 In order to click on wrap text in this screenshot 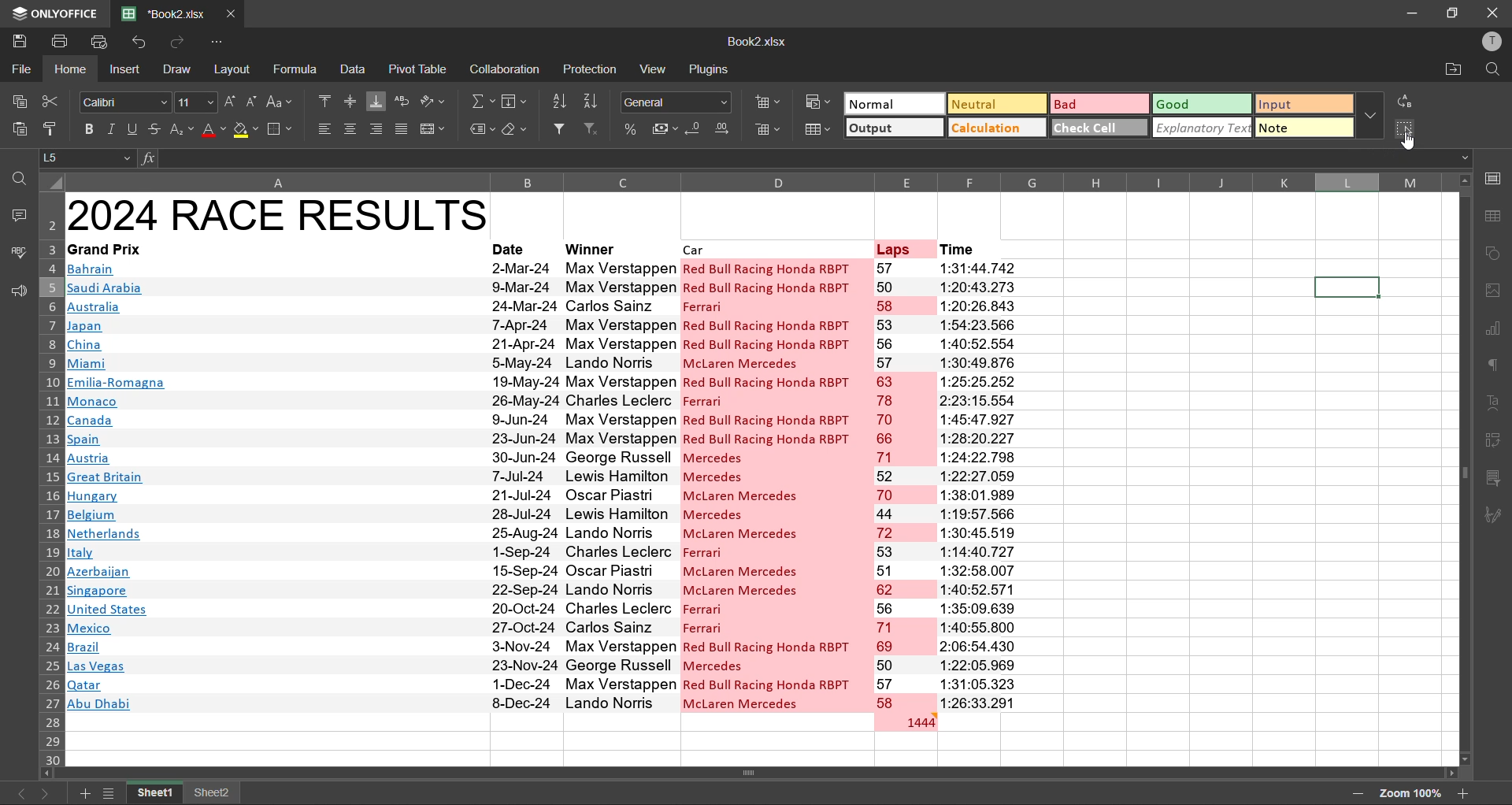, I will do `click(400, 103)`.